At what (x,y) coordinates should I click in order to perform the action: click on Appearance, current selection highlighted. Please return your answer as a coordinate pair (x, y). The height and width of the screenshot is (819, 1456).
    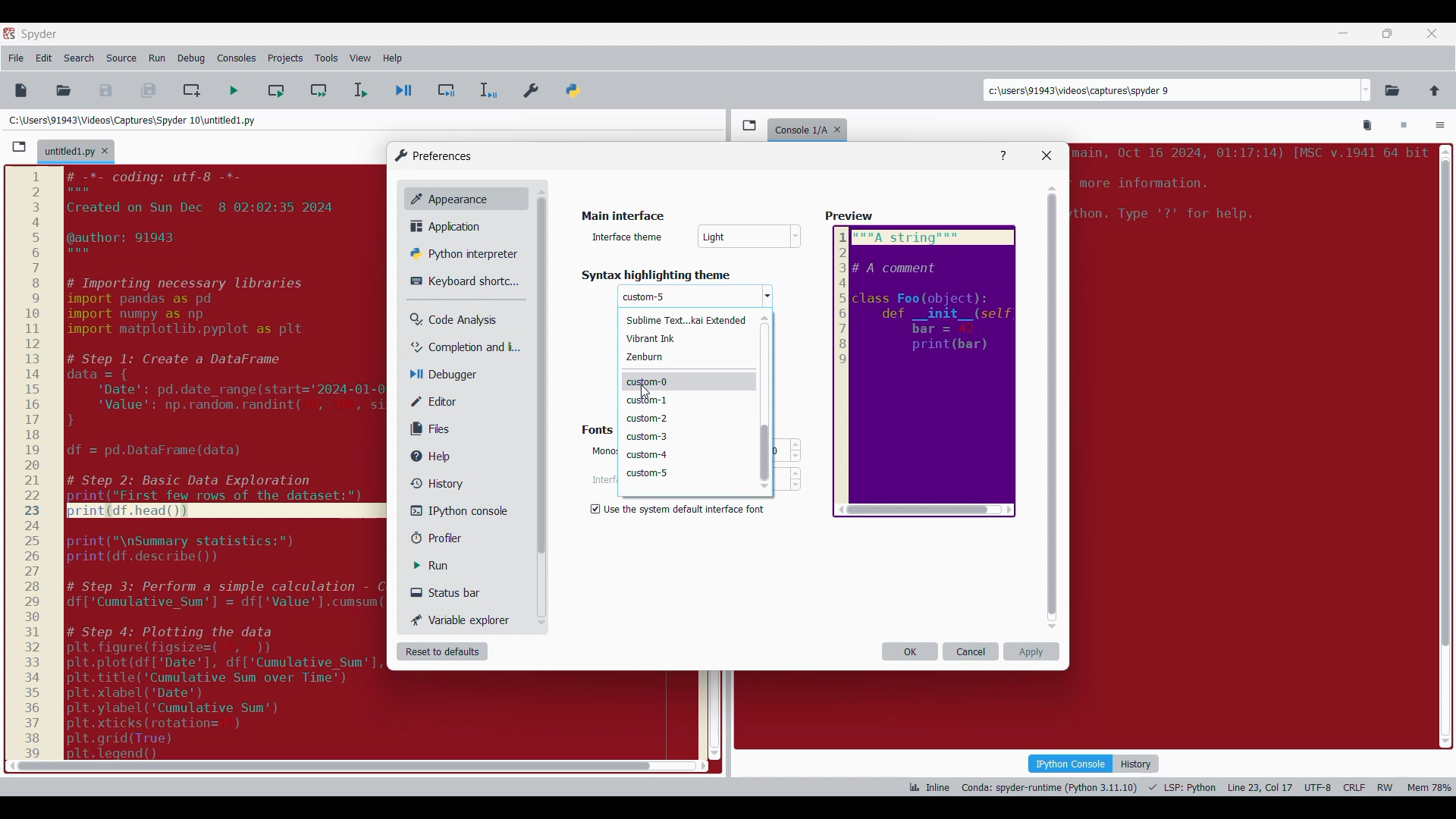
    Looking at the image, I should click on (446, 197).